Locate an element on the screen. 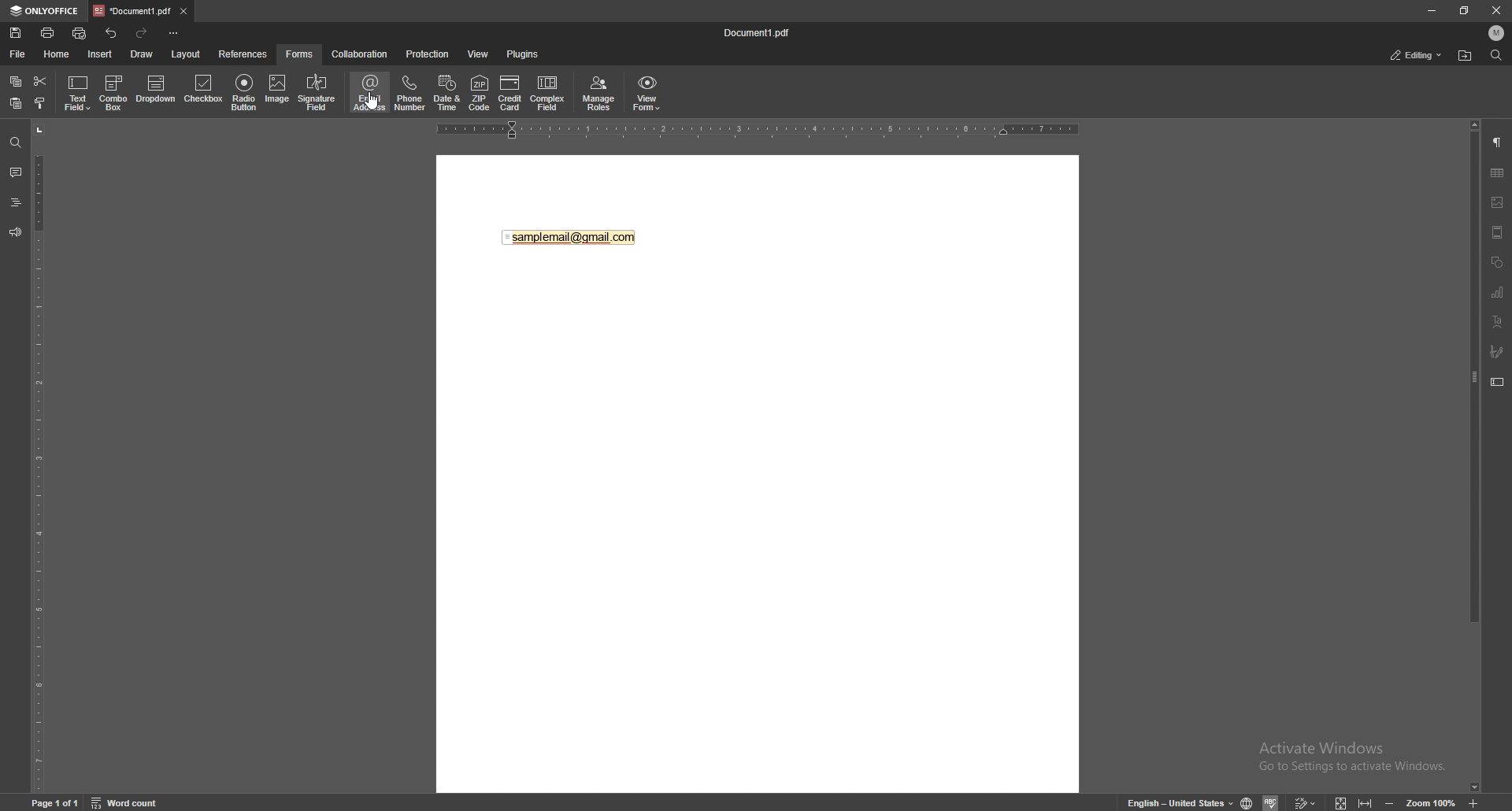 The width and height of the screenshot is (1512, 811). zoom out is located at coordinates (1392, 802).